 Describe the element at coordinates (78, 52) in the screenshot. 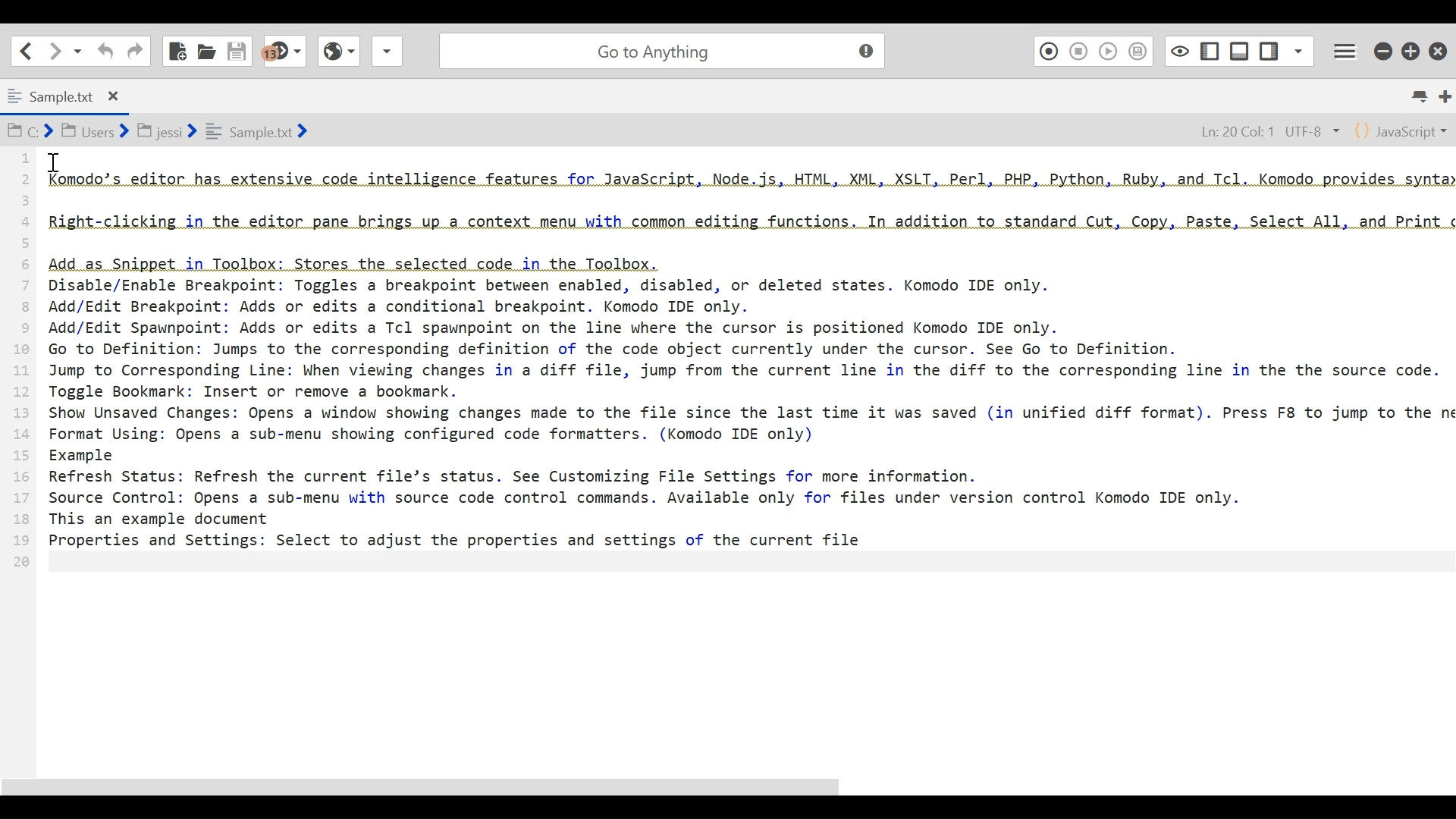

I see `Recent locations` at that location.